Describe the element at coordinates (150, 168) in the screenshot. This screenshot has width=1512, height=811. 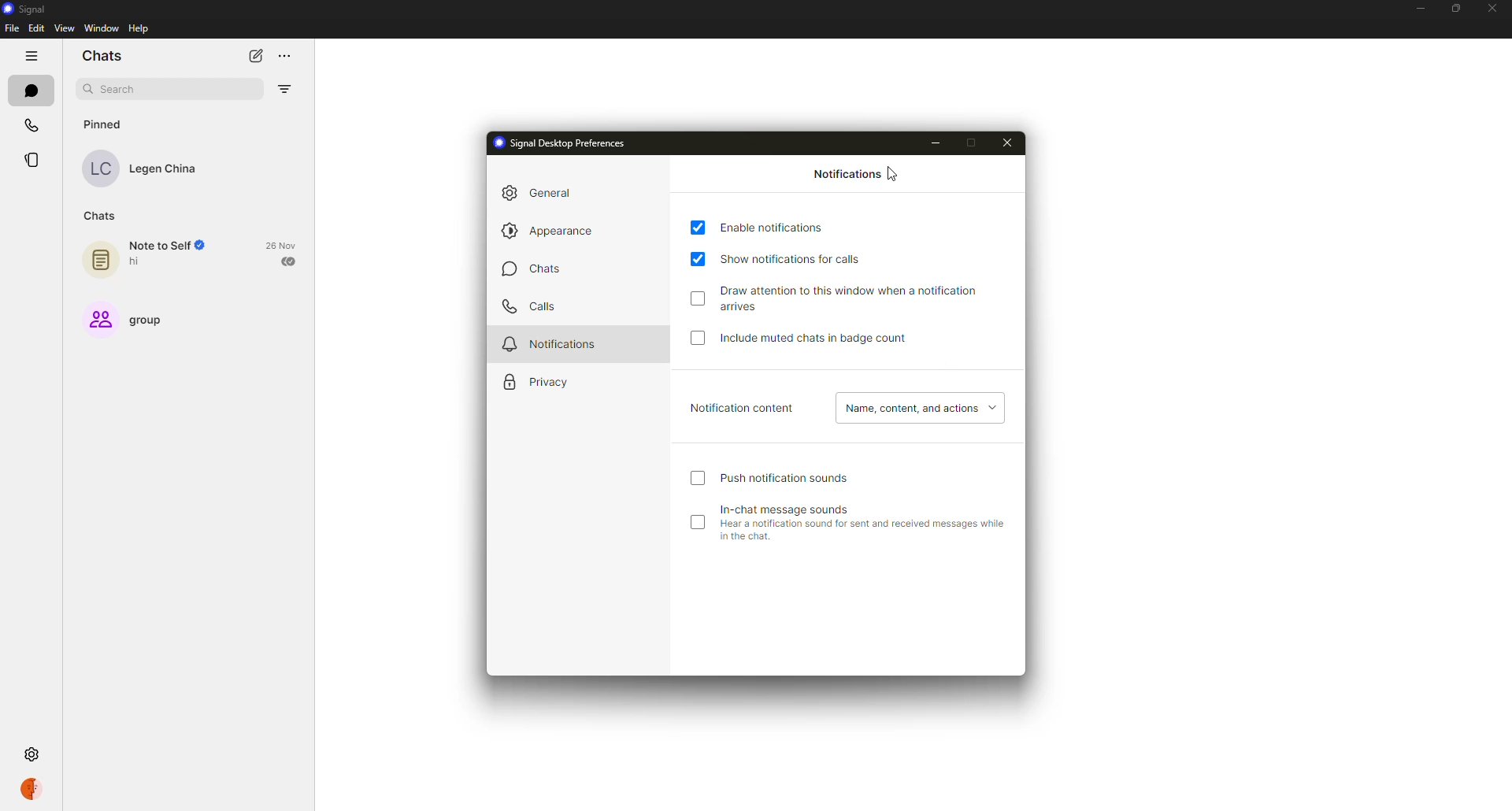
I see `contact` at that location.